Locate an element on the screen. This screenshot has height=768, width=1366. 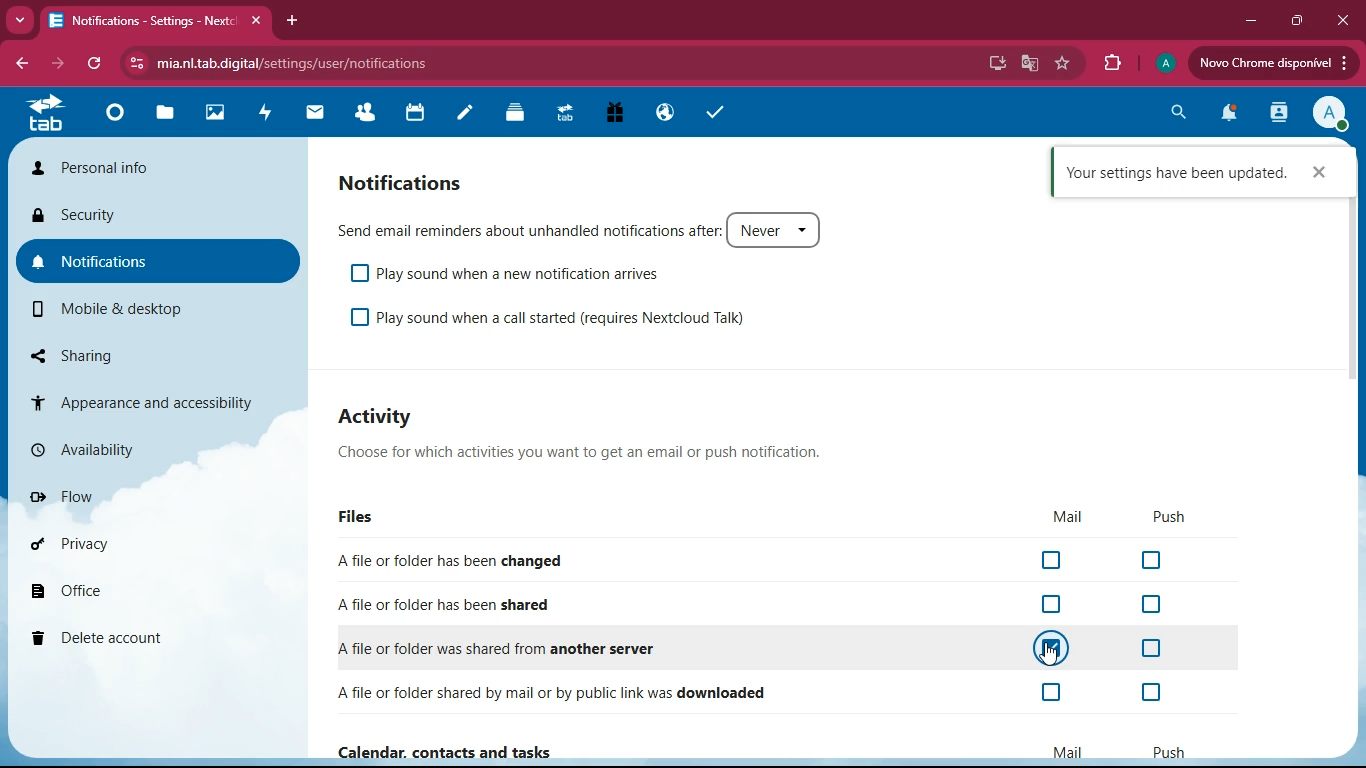
profile is located at coordinates (1162, 65).